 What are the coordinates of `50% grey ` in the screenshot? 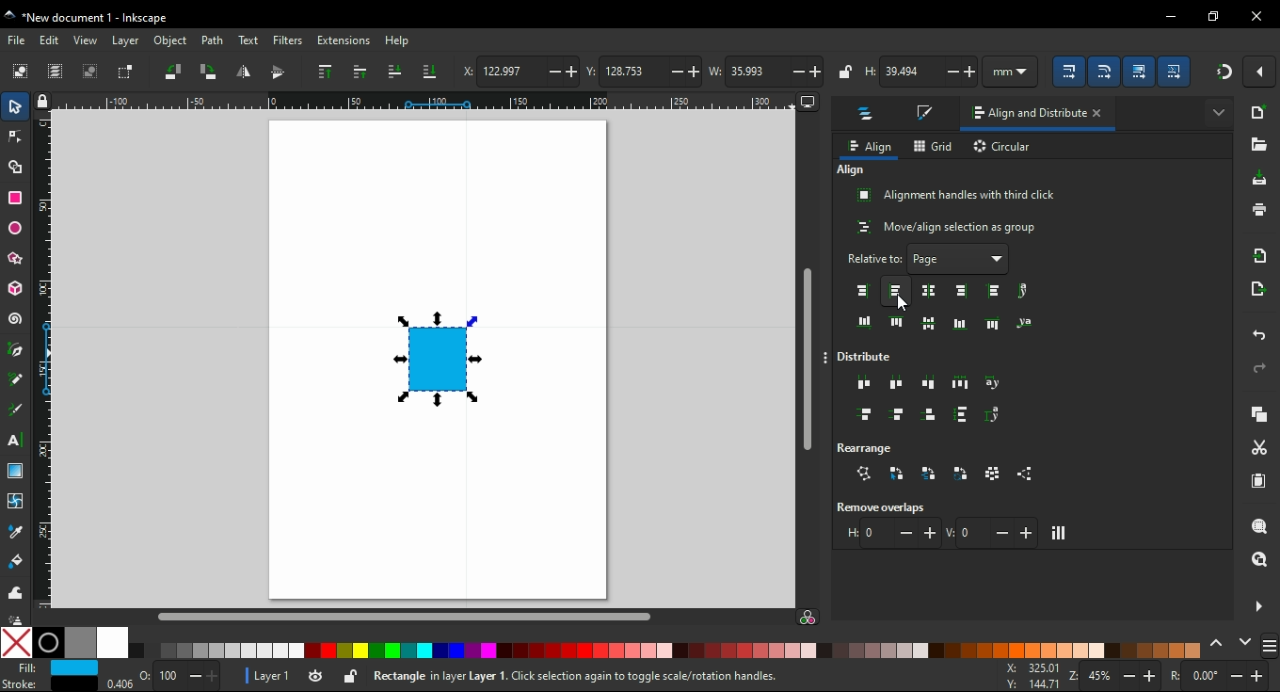 It's located at (81, 642).